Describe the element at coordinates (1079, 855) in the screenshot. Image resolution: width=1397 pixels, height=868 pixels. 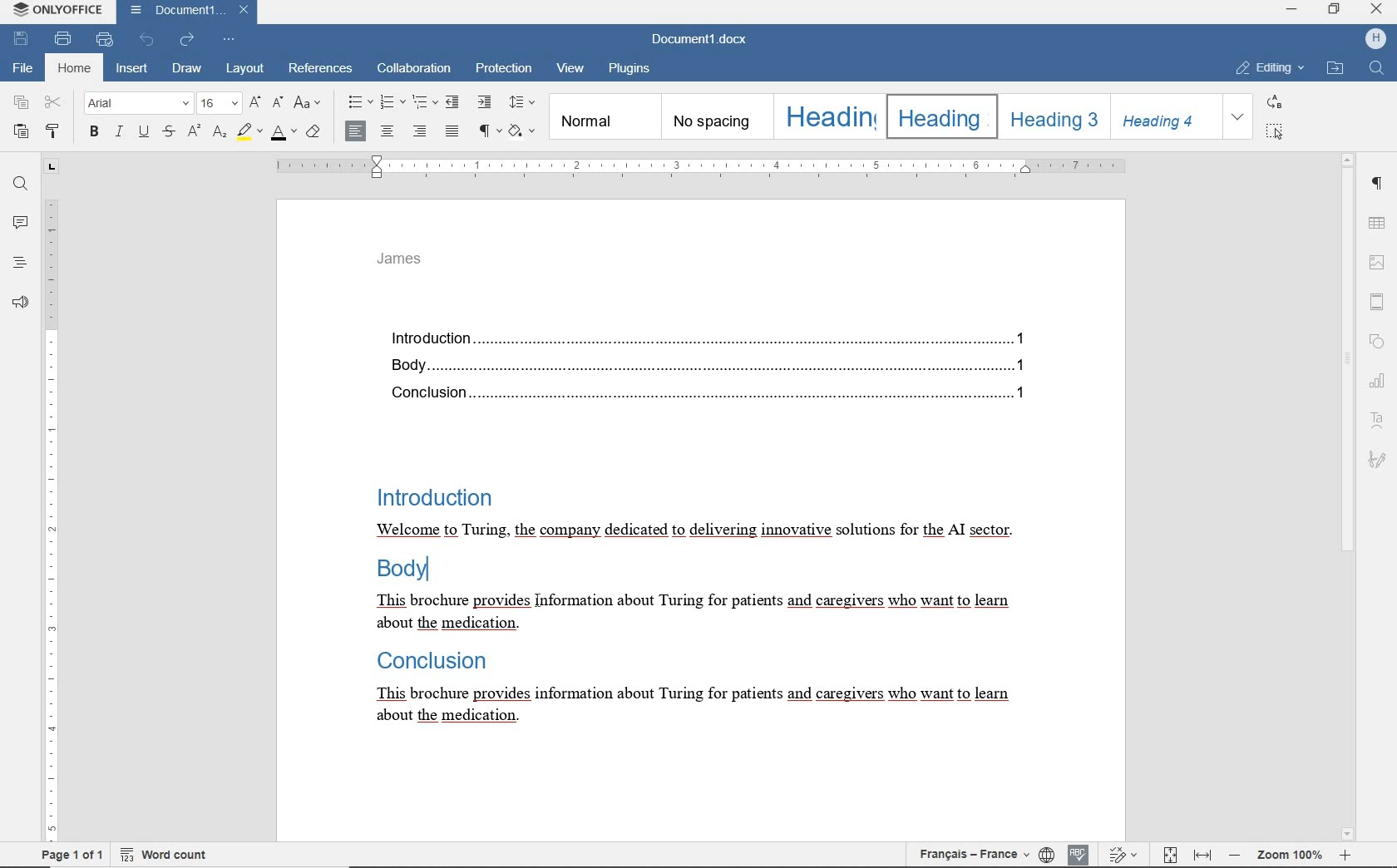
I see `SPELL CHECKING` at that location.